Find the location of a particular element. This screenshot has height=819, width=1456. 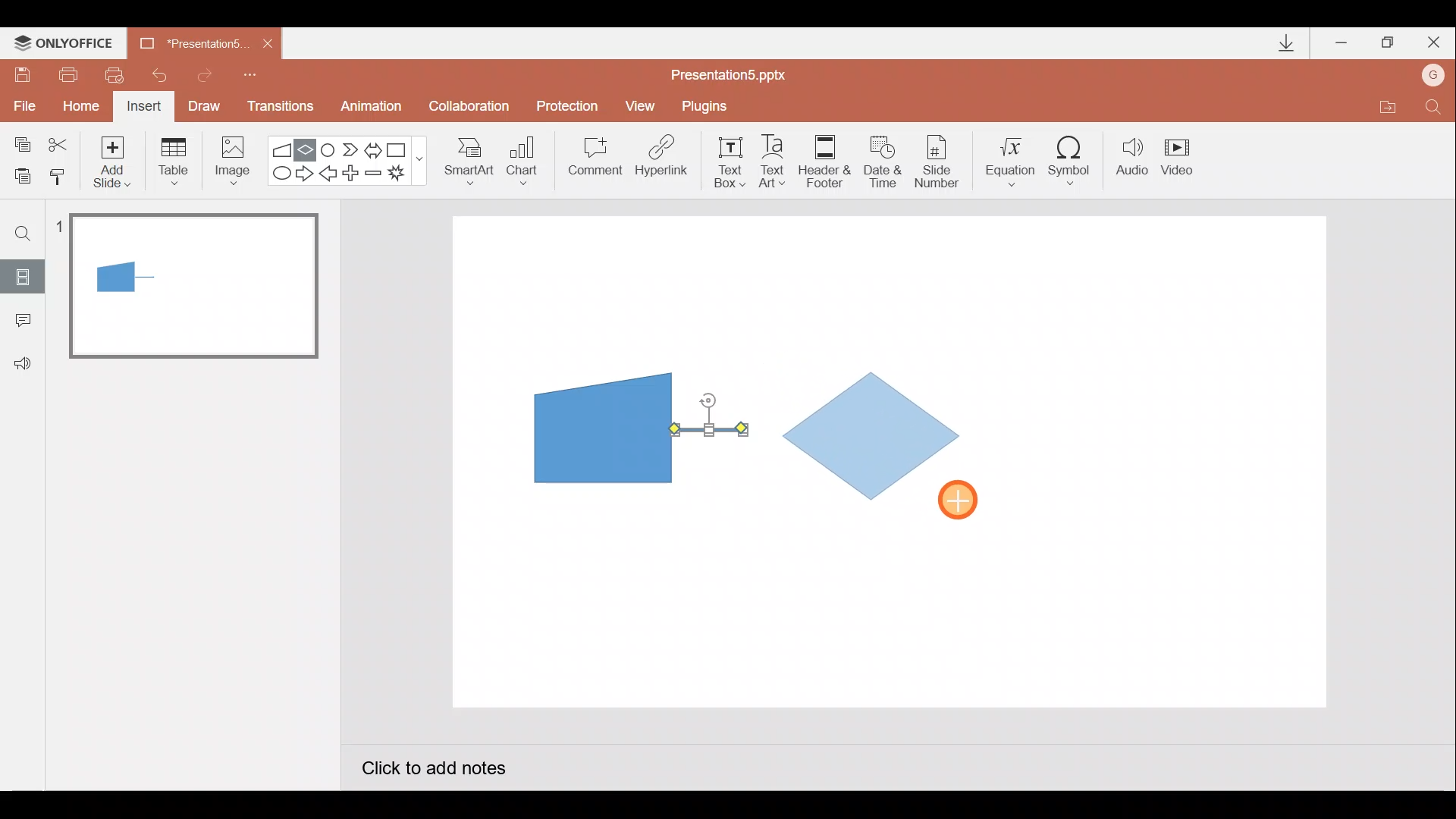

Plus is located at coordinates (353, 175).